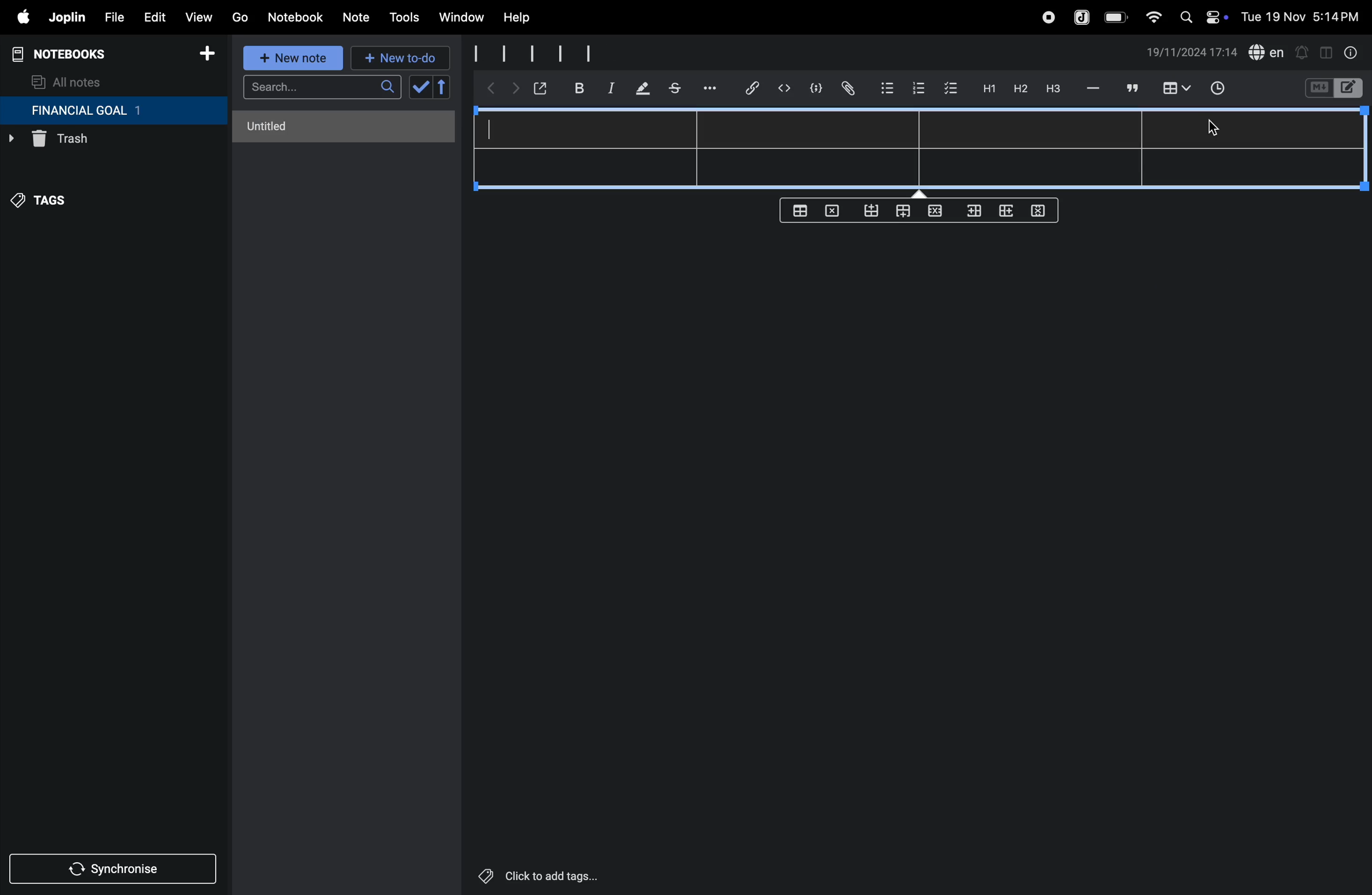 This screenshot has height=895, width=1372. I want to click on create table, so click(800, 210).